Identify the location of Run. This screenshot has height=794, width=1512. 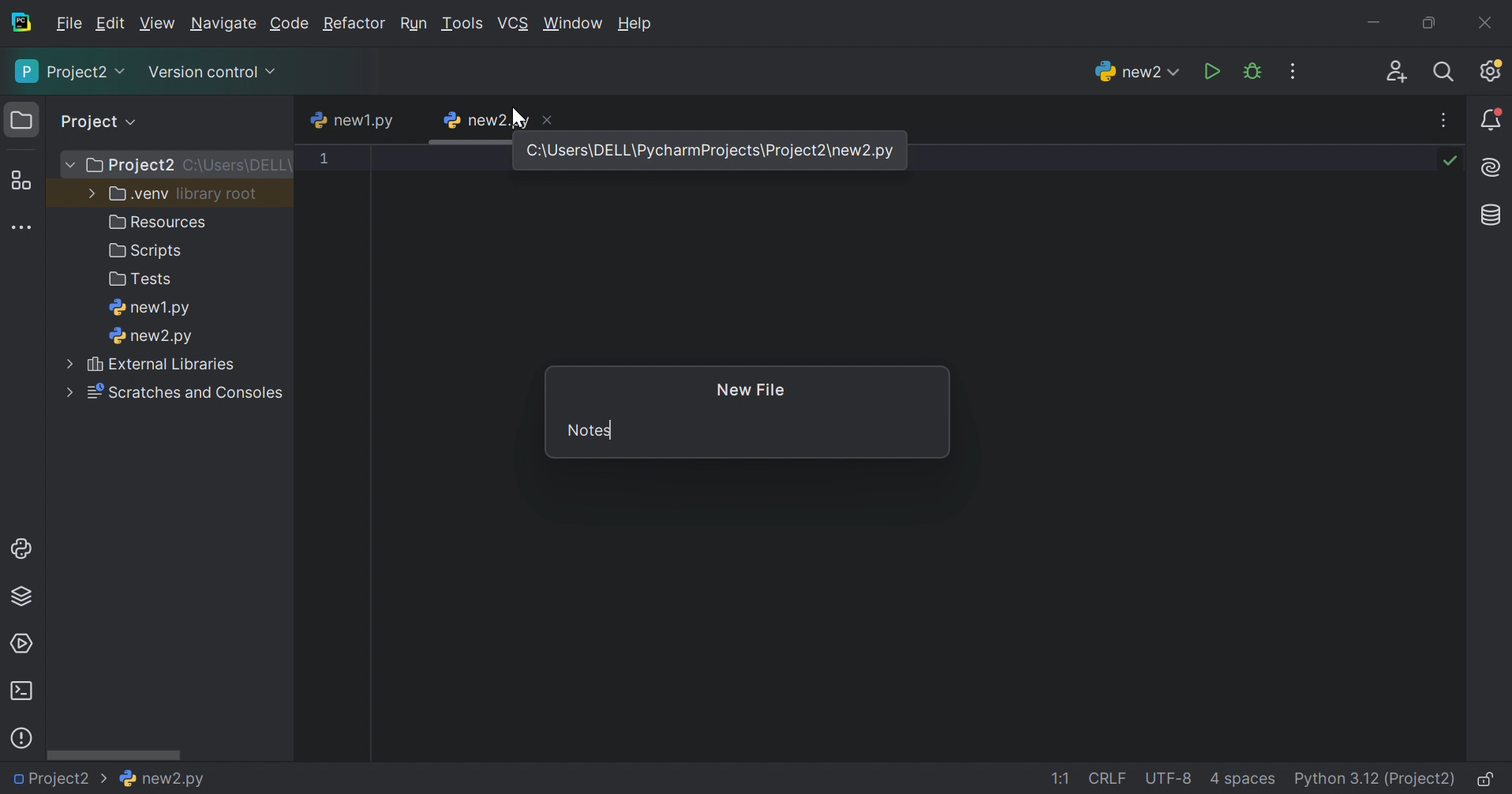
(1211, 70).